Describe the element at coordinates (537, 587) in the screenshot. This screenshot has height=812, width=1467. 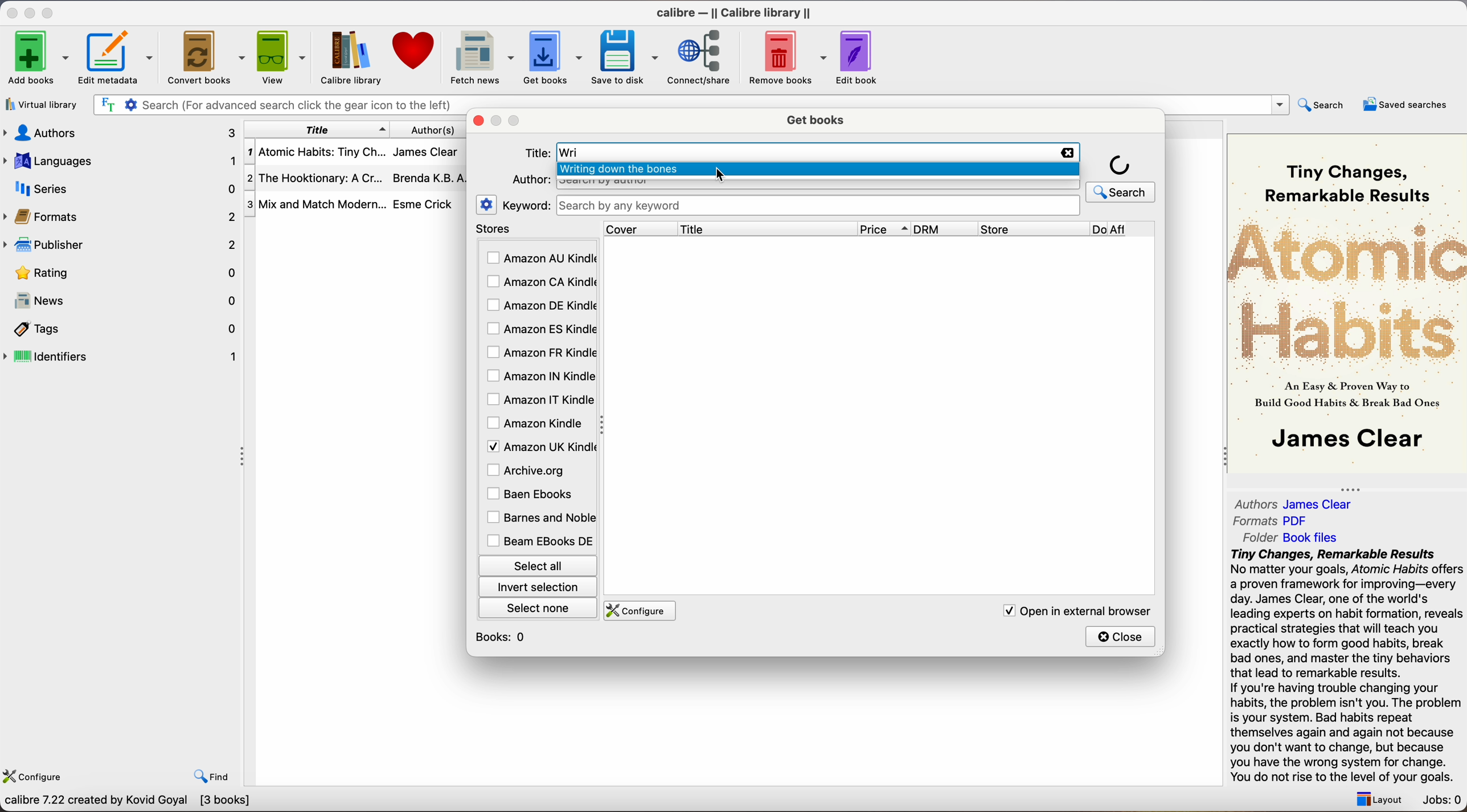
I see `invert selection` at that location.